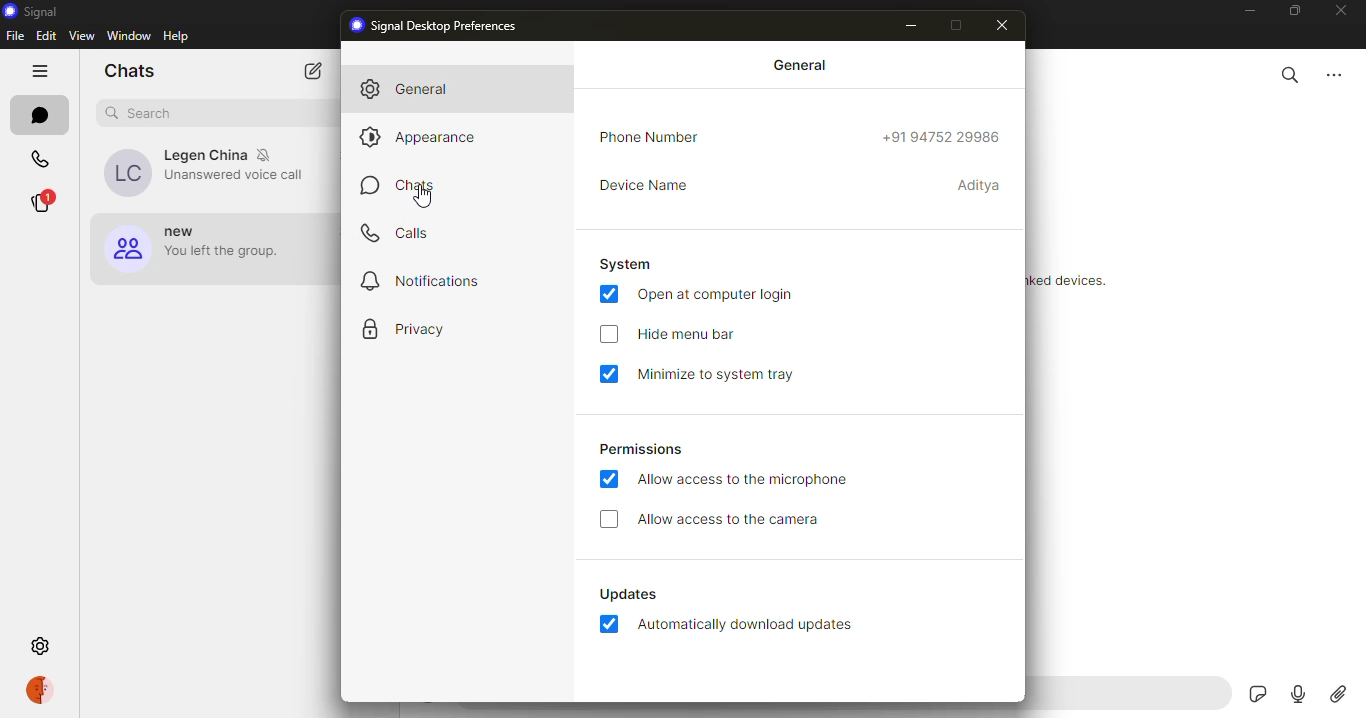 The image size is (1366, 718). Describe the element at coordinates (730, 520) in the screenshot. I see `allow camera access` at that location.